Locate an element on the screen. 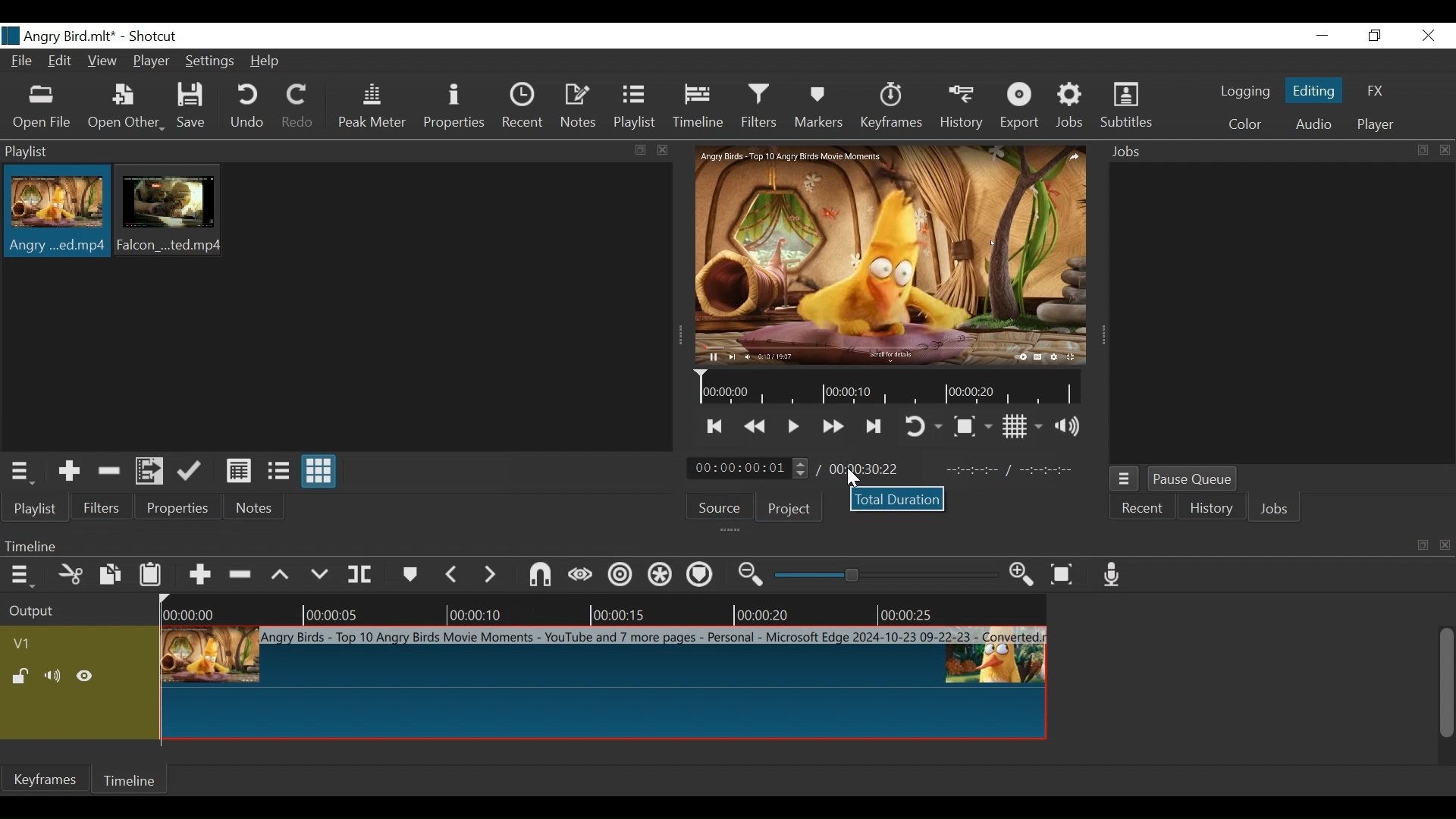  Filters is located at coordinates (102, 507).